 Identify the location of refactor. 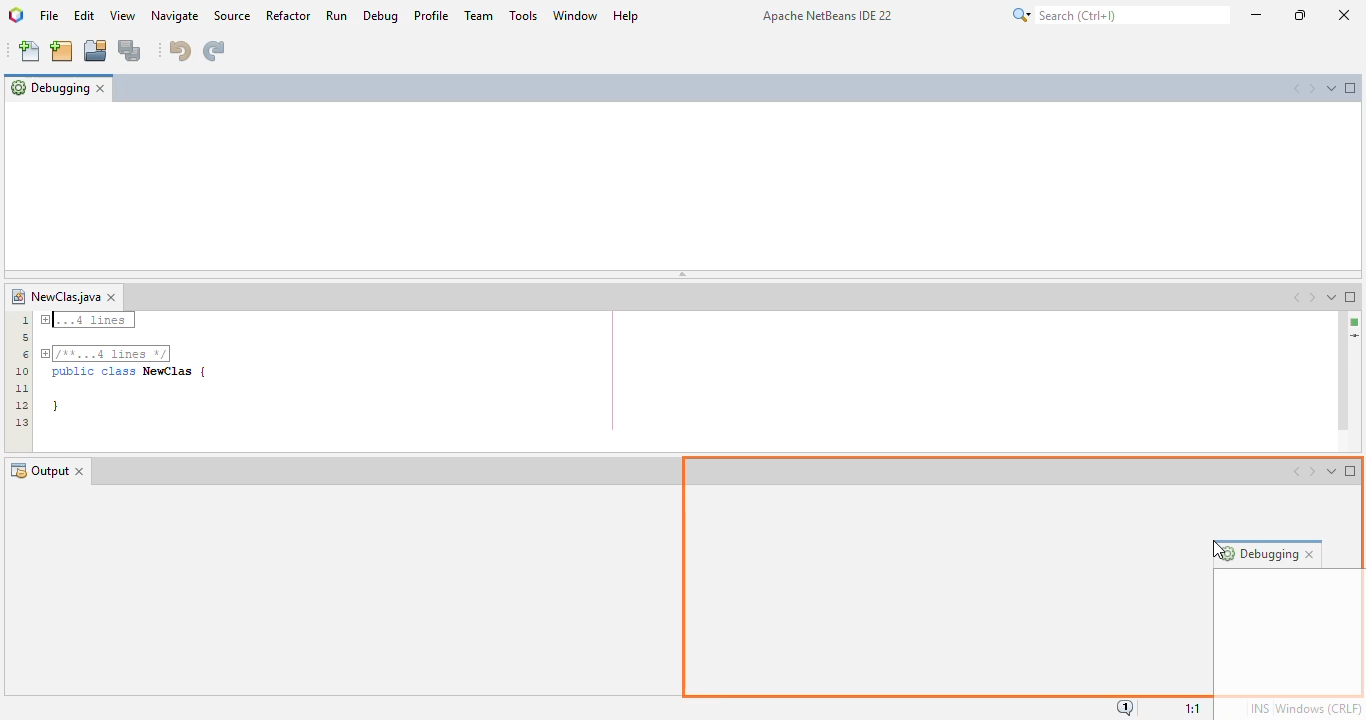
(289, 15).